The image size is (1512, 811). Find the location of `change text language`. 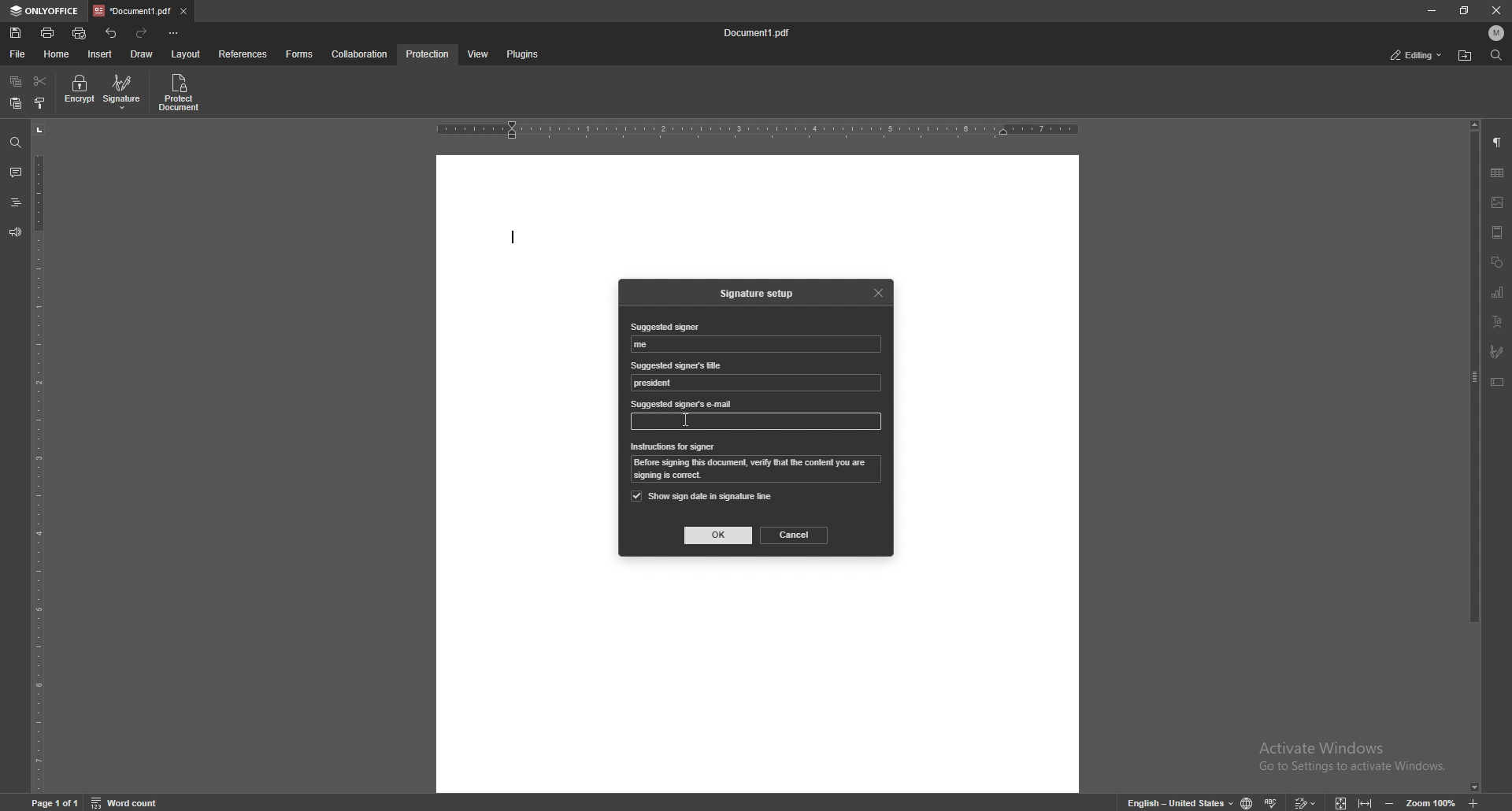

change text language is located at coordinates (1174, 802).